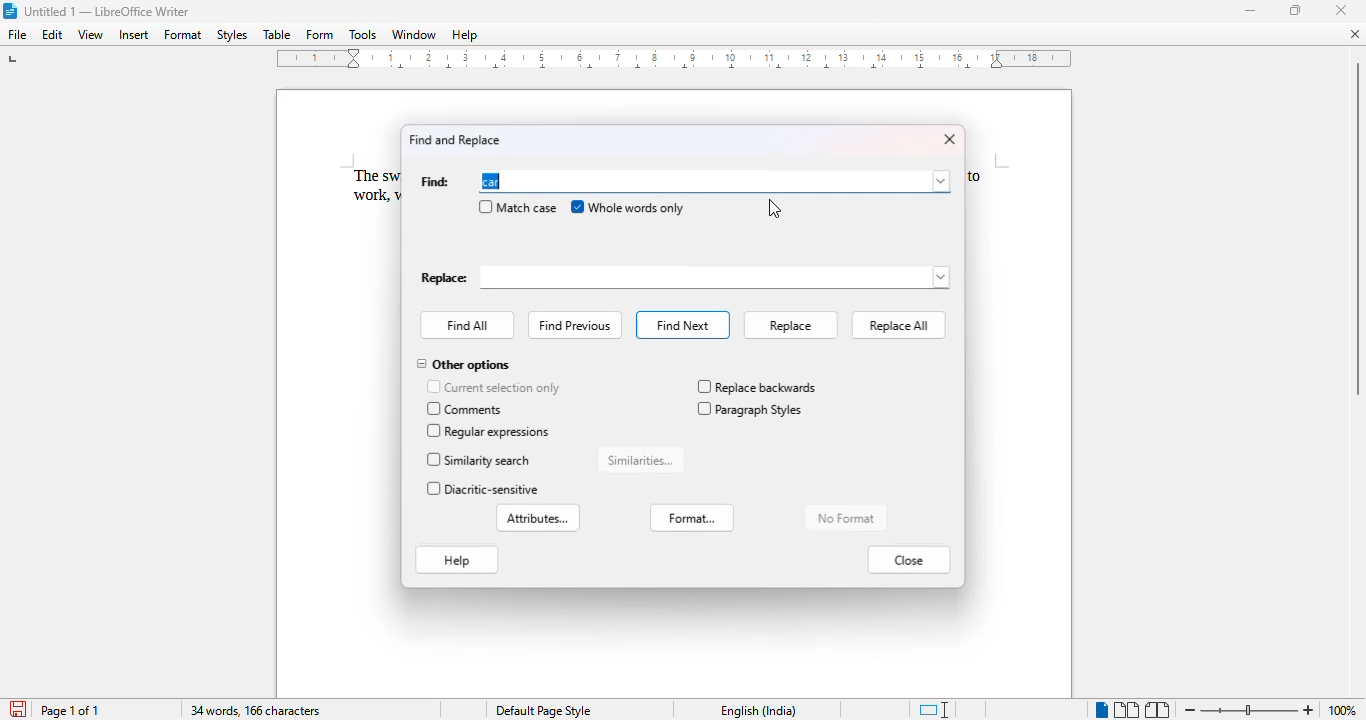 The height and width of the screenshot is (720, 1366). Describe the element at coordinates (457, 561) in the screenshot. I see `help` at that location.